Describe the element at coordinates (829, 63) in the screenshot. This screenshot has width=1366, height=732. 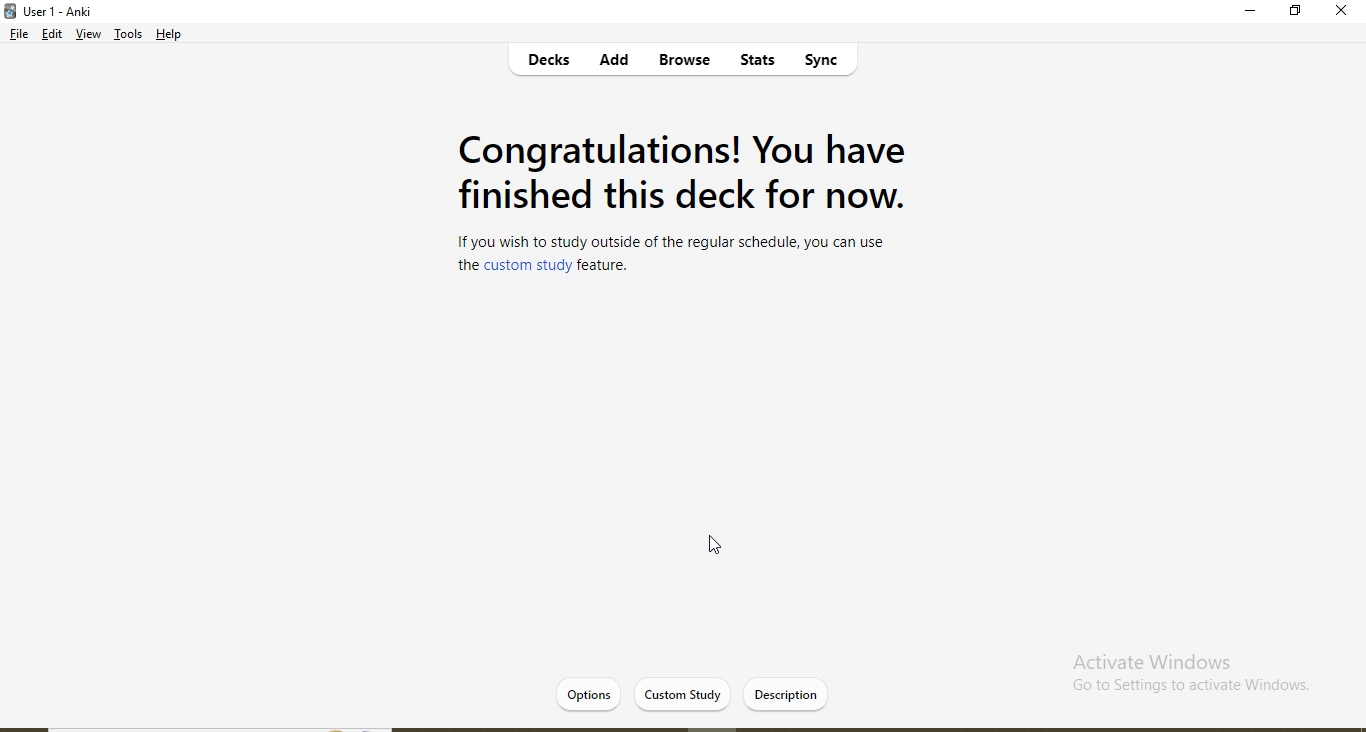
I see `sync` at that location.